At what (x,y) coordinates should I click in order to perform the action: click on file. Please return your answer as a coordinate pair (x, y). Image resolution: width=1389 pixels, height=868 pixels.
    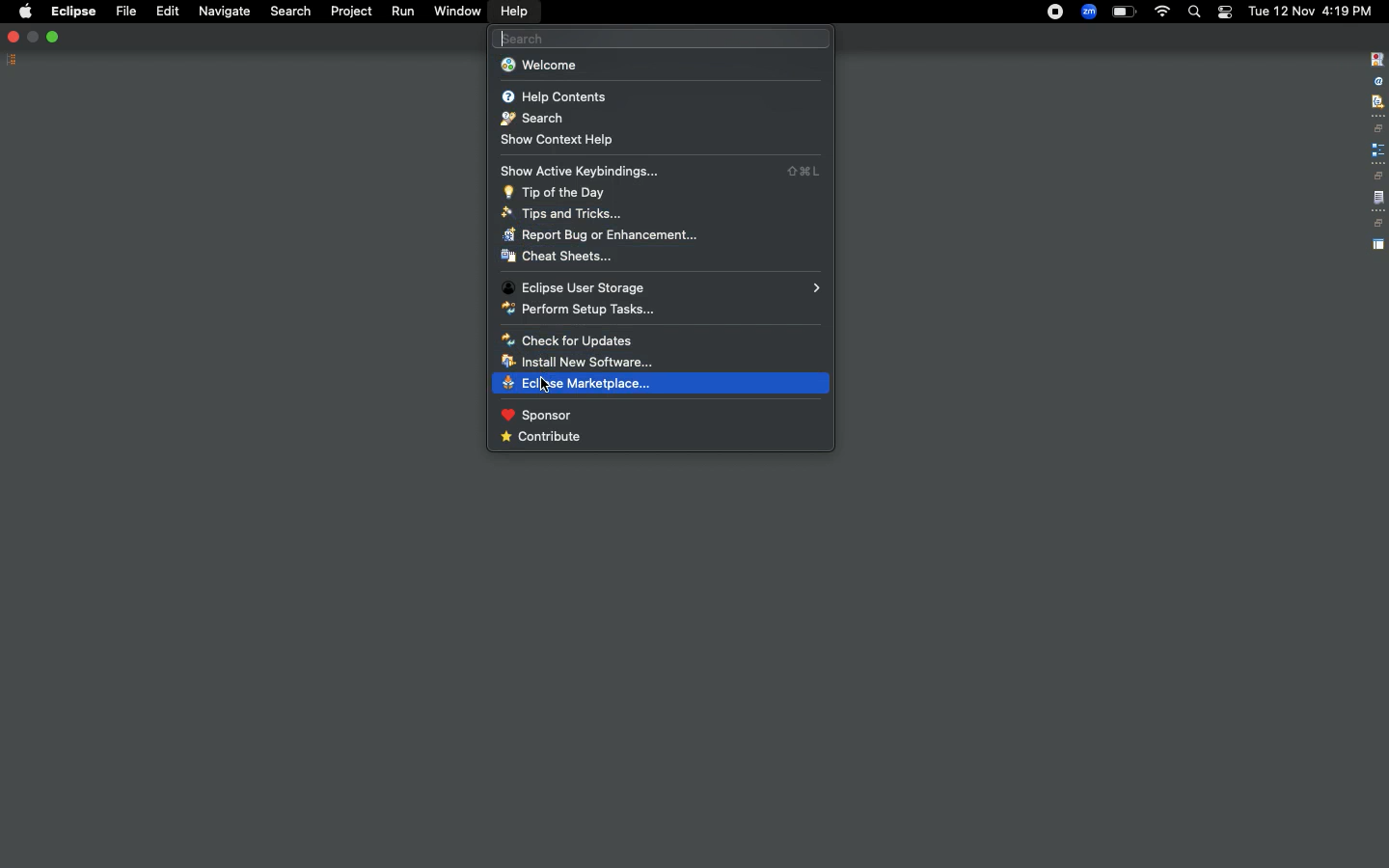
    Looking at the image, I should click on (1378, 199).